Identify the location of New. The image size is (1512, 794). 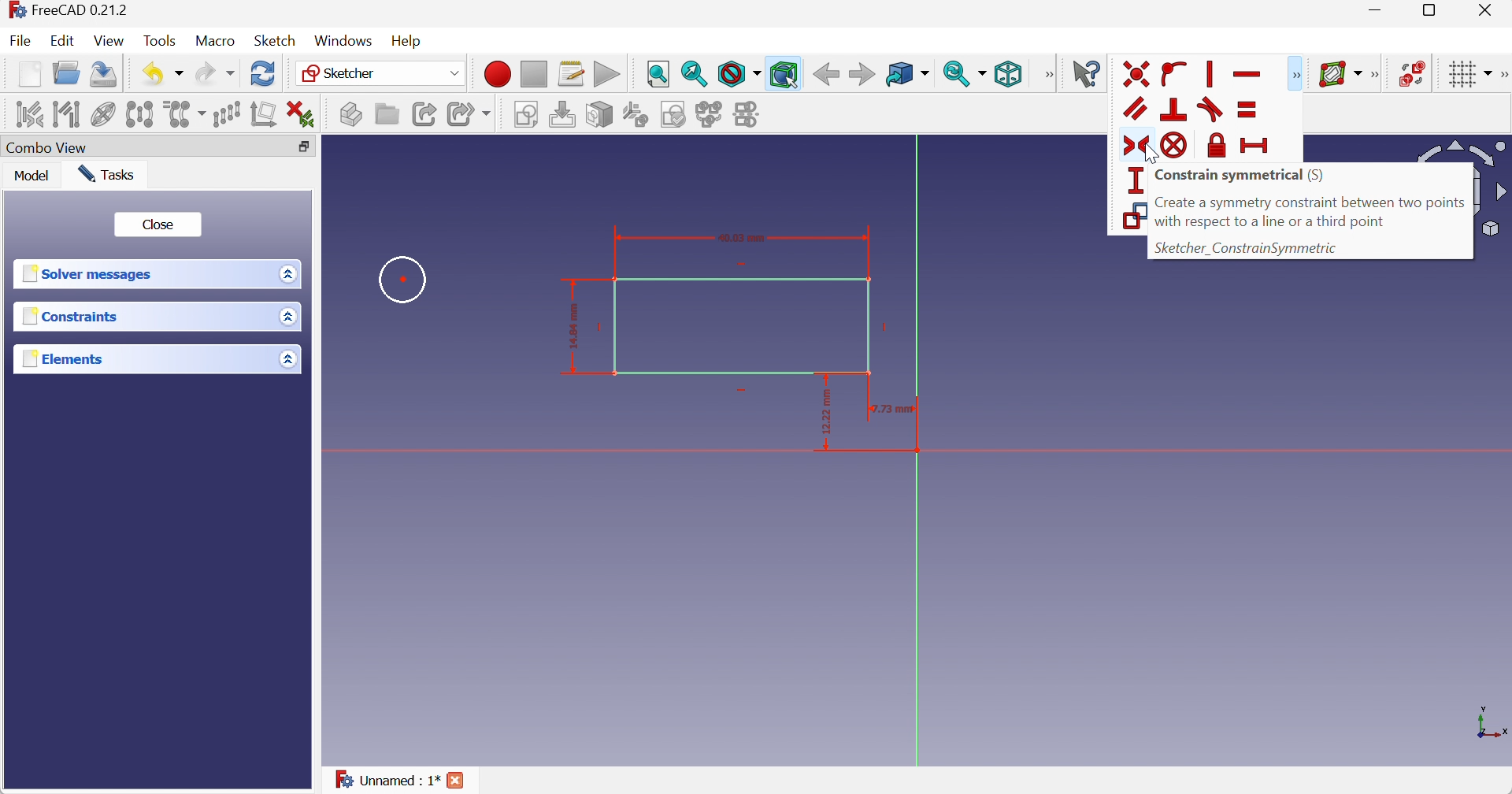
(30, 76).